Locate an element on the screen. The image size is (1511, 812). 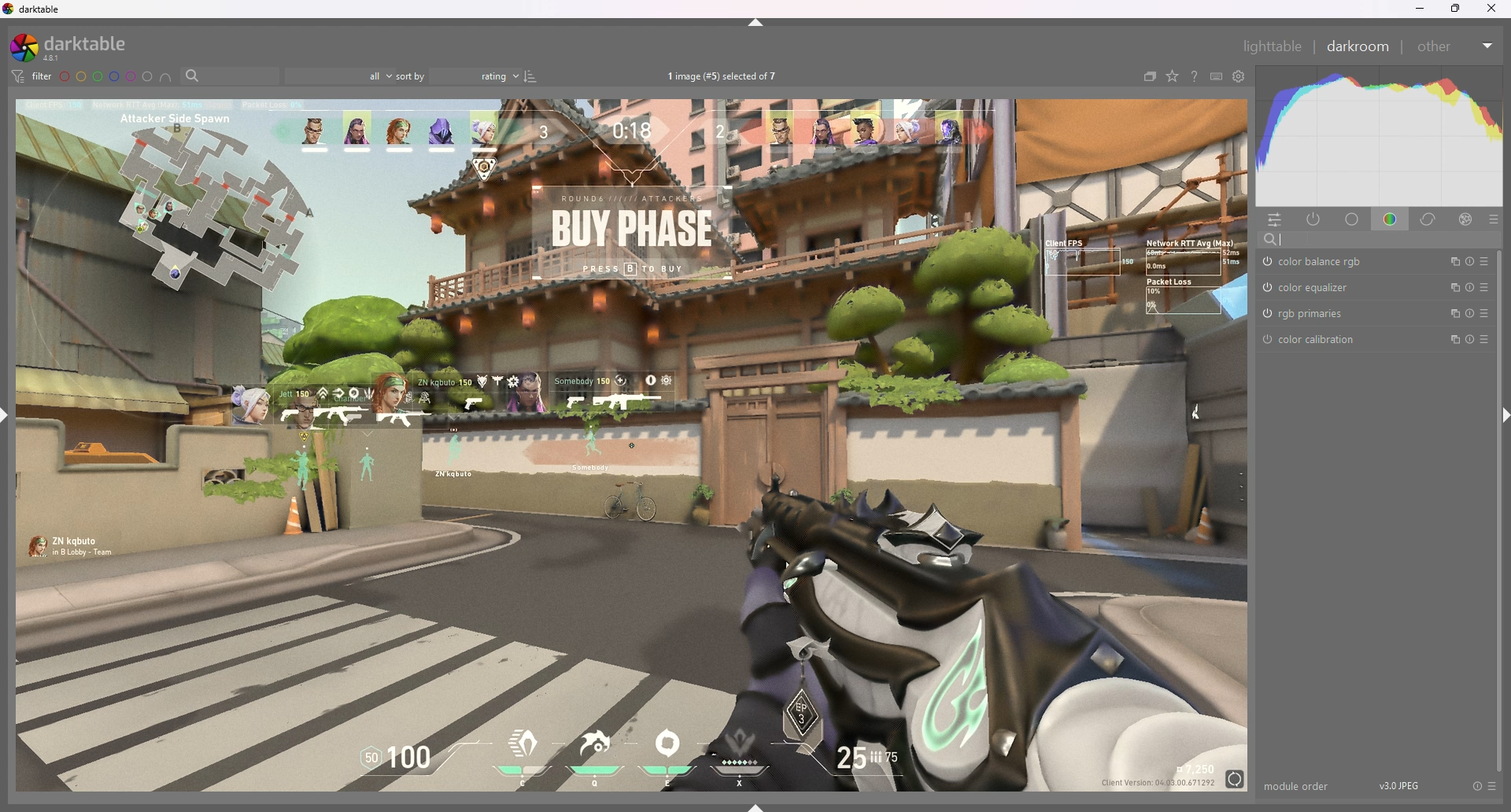
color is located at coordinates (1392, 220).